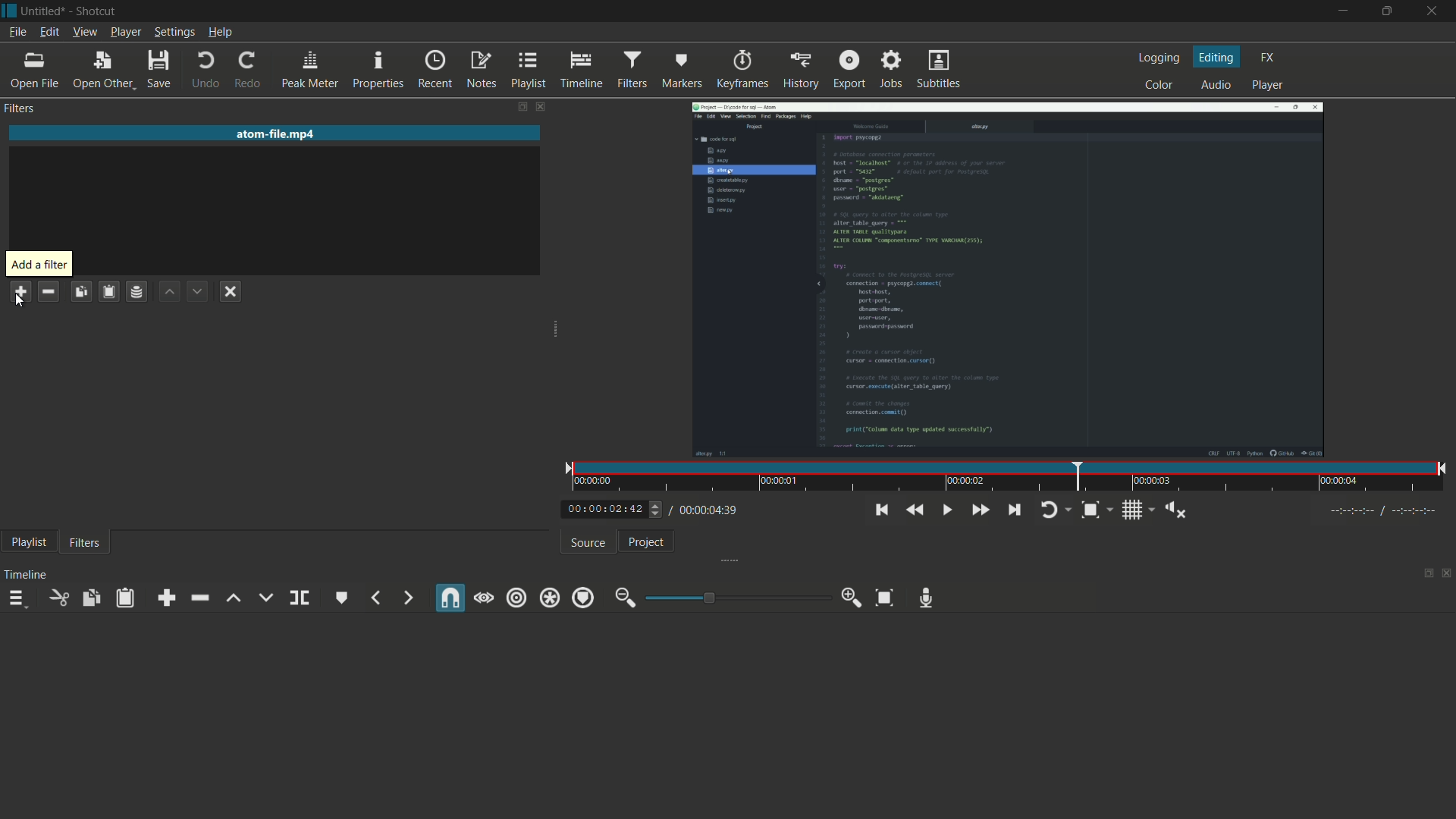  What do you see at coordinates (20, 33) in the screenshot?
I see `file menu` at bounding box center [20, 33].